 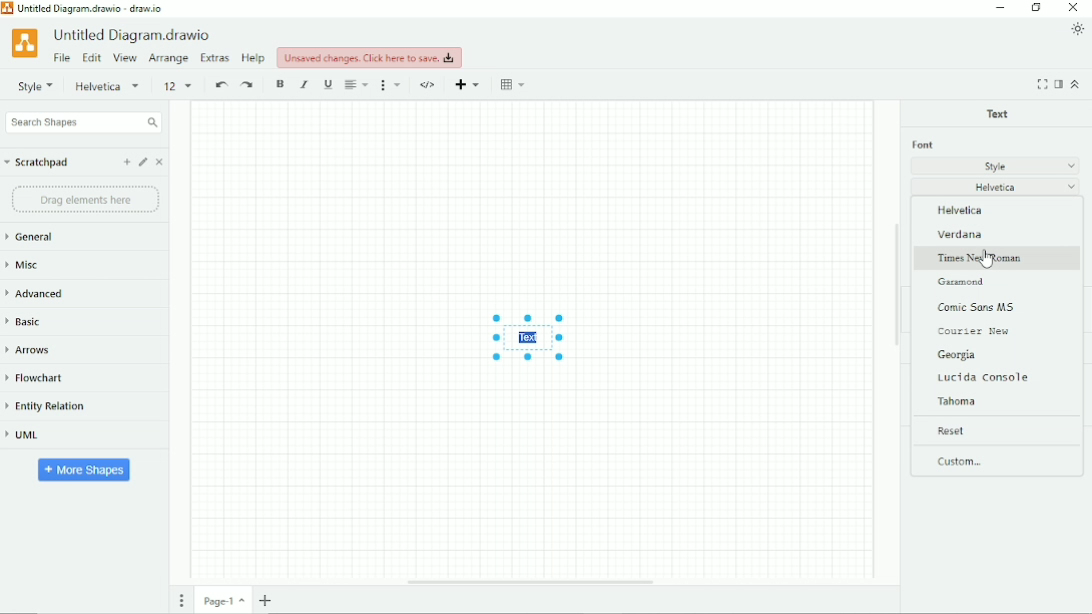 I want to click on Times New Roman, so click(x=983, y=258).